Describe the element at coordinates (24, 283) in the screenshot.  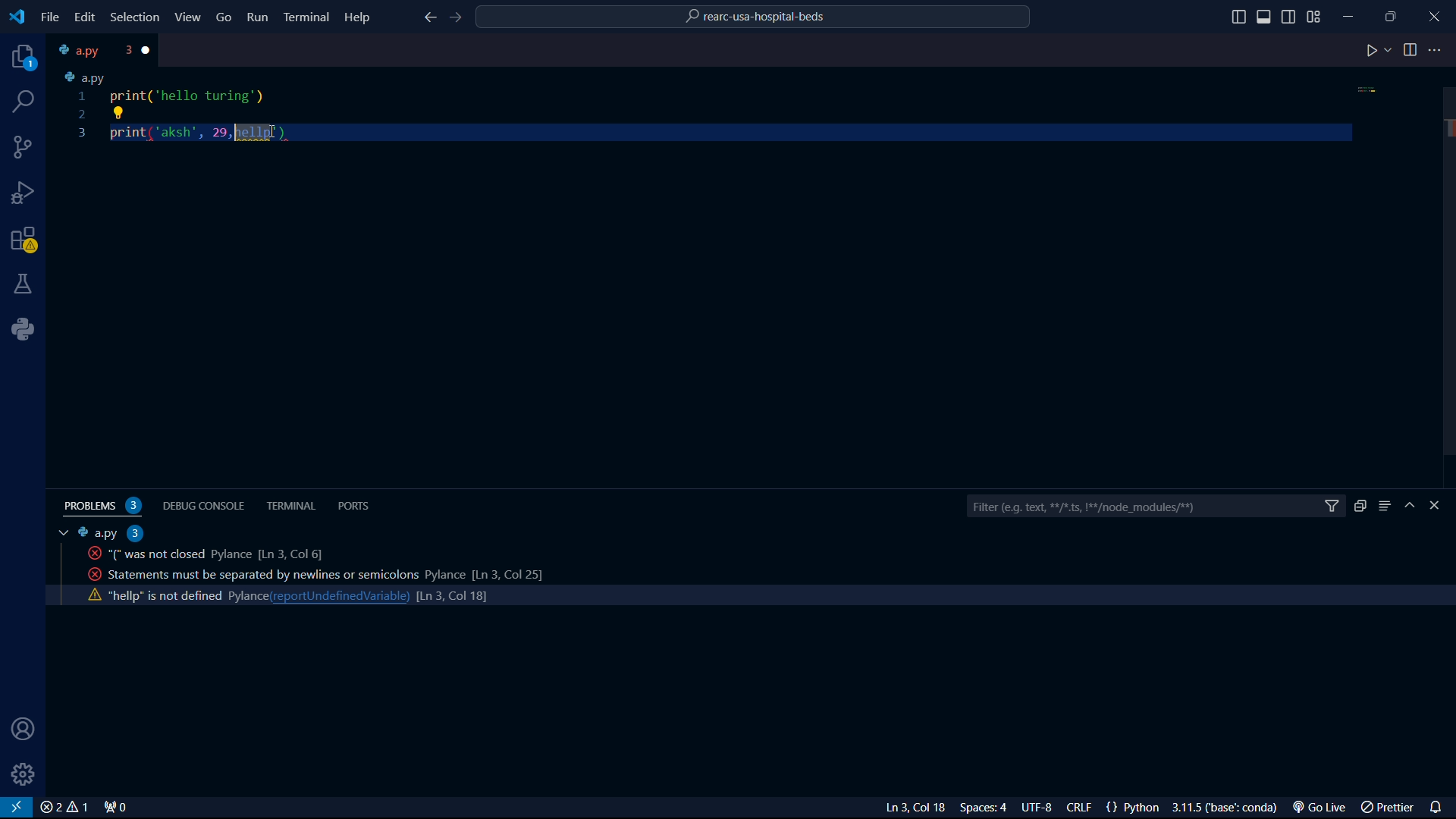
I see `labs` at that location.